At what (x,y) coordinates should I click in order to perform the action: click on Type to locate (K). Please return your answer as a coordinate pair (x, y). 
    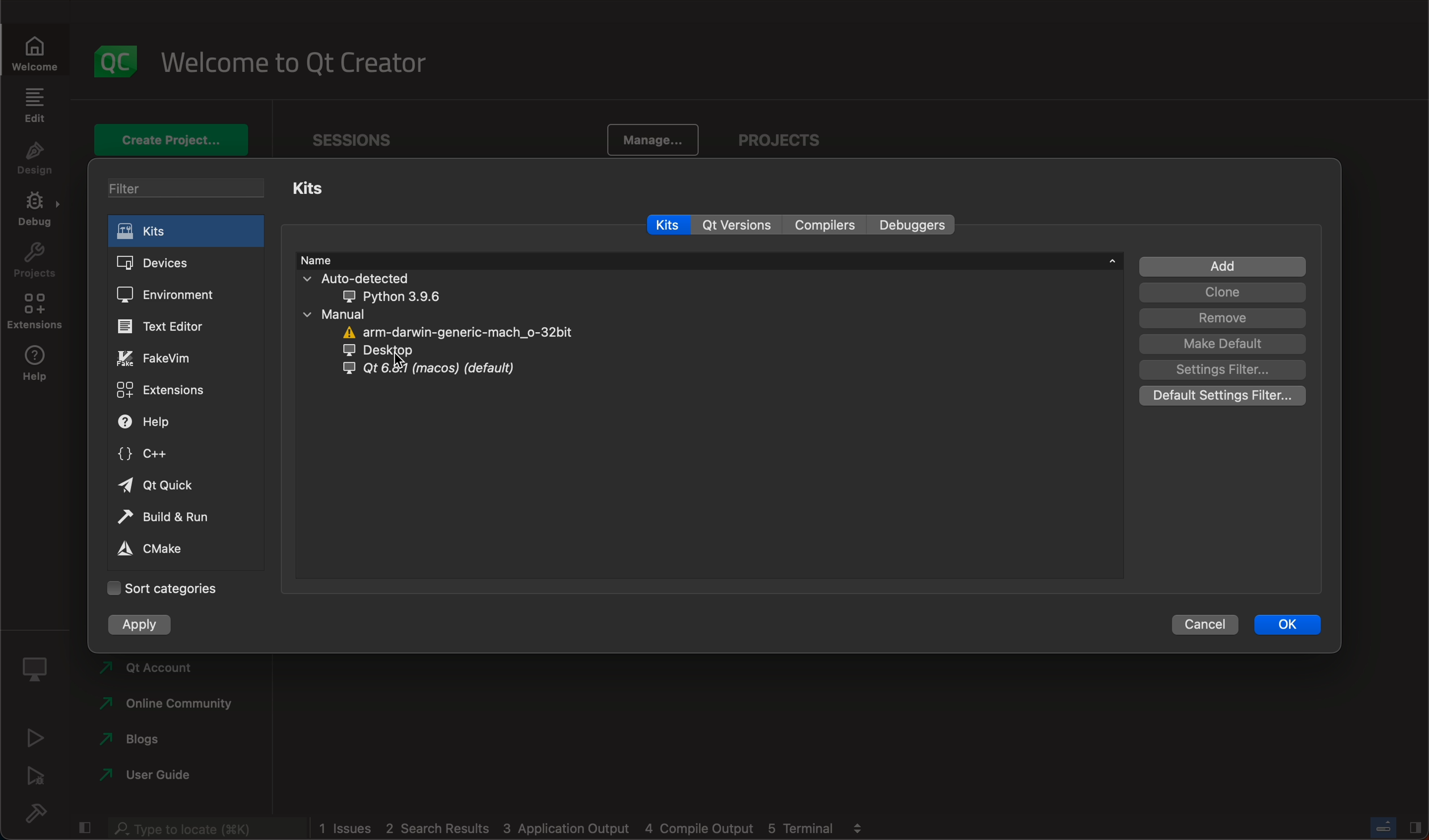
    Looking at the image, I should click on (205, 828).